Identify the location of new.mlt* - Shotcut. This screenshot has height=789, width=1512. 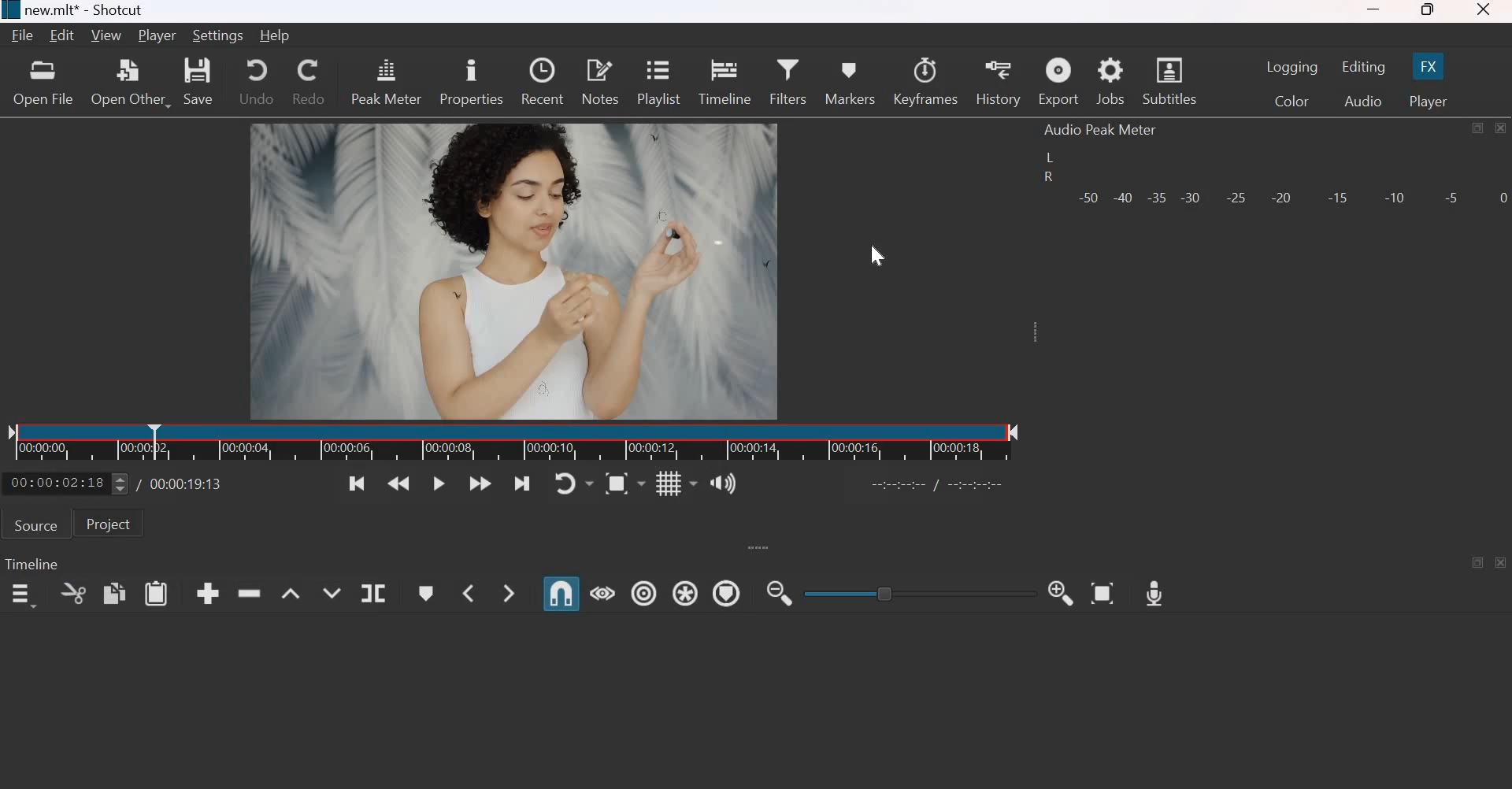
(80, 9).